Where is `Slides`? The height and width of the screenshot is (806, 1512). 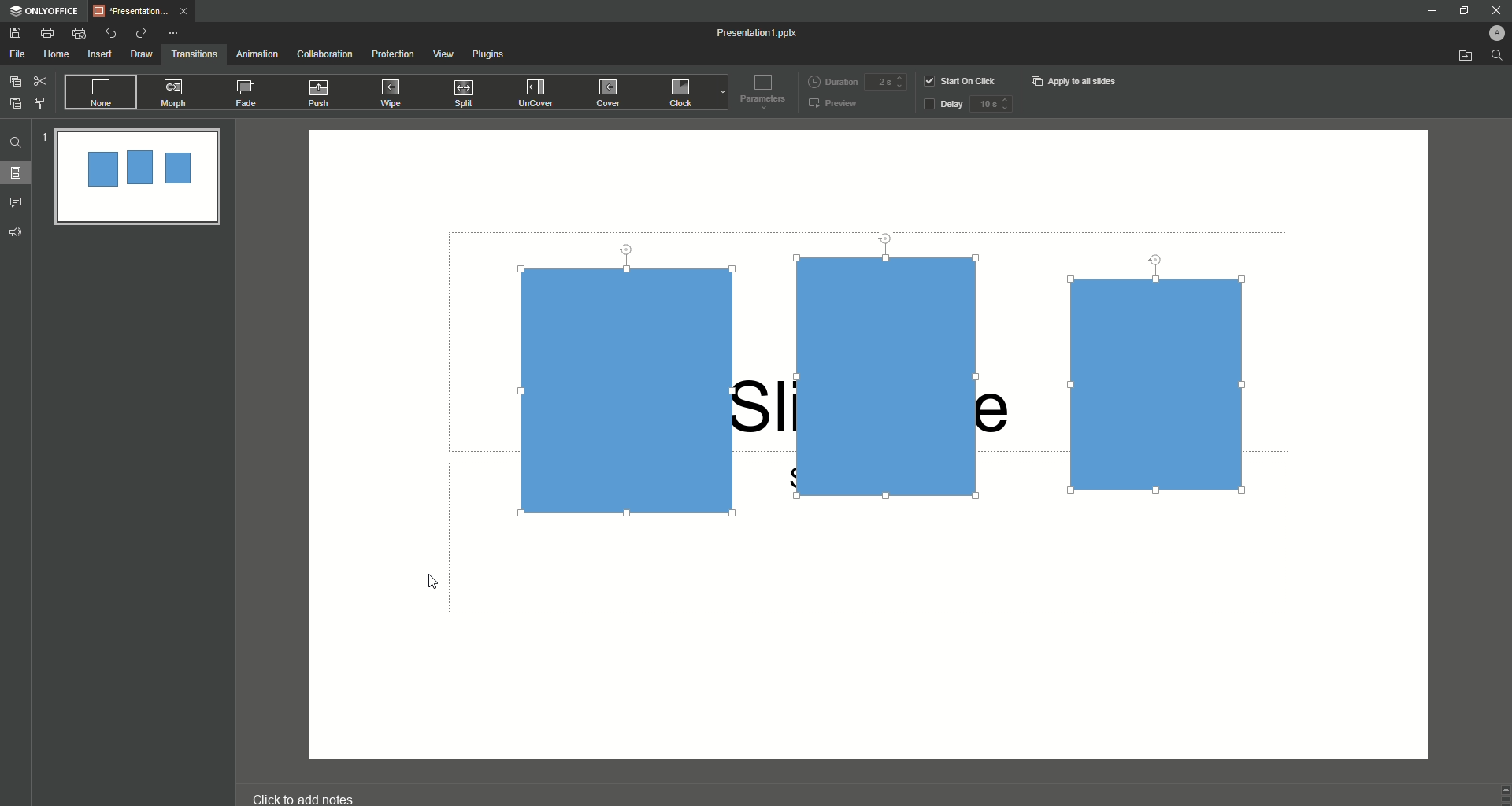 Slides is located at coordinates (20, 173).